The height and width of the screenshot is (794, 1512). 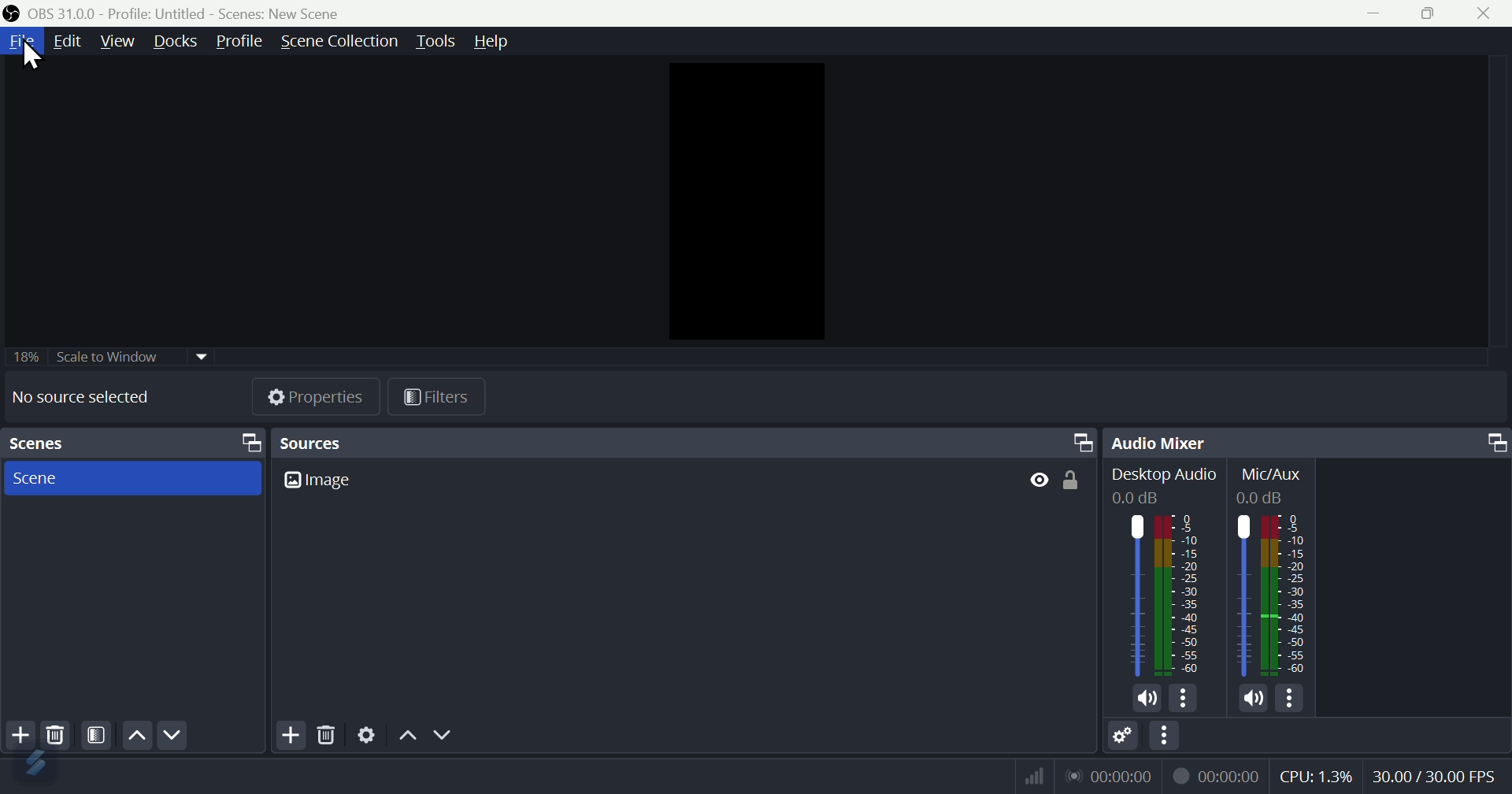 What do you see at coordinates (1310, 439) in the screenshot?
I see `Audio mixer` at bounding box center [1310, 439].